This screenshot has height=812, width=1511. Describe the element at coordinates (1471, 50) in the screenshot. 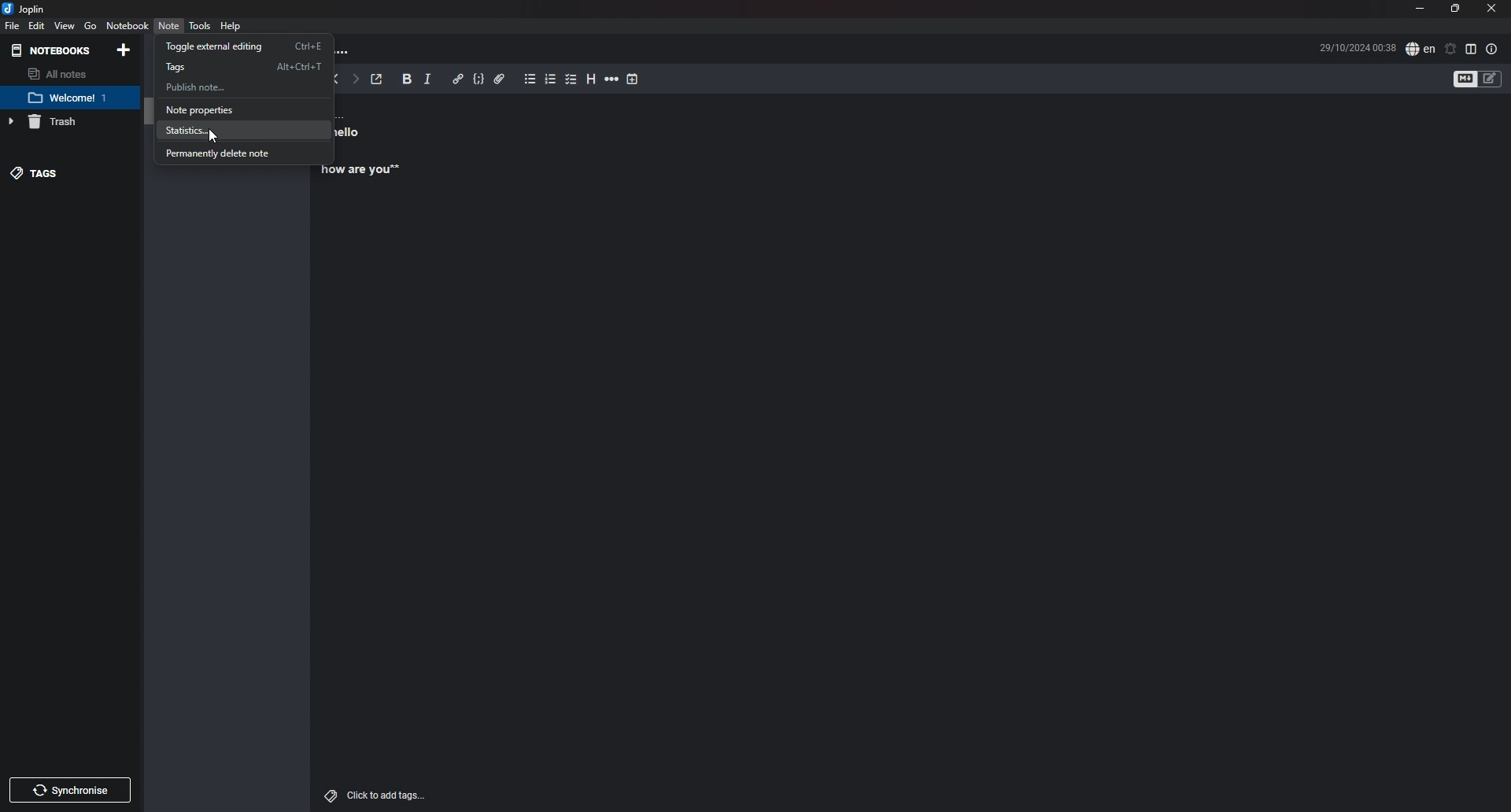

I see `Toggle editor layout` at that location.